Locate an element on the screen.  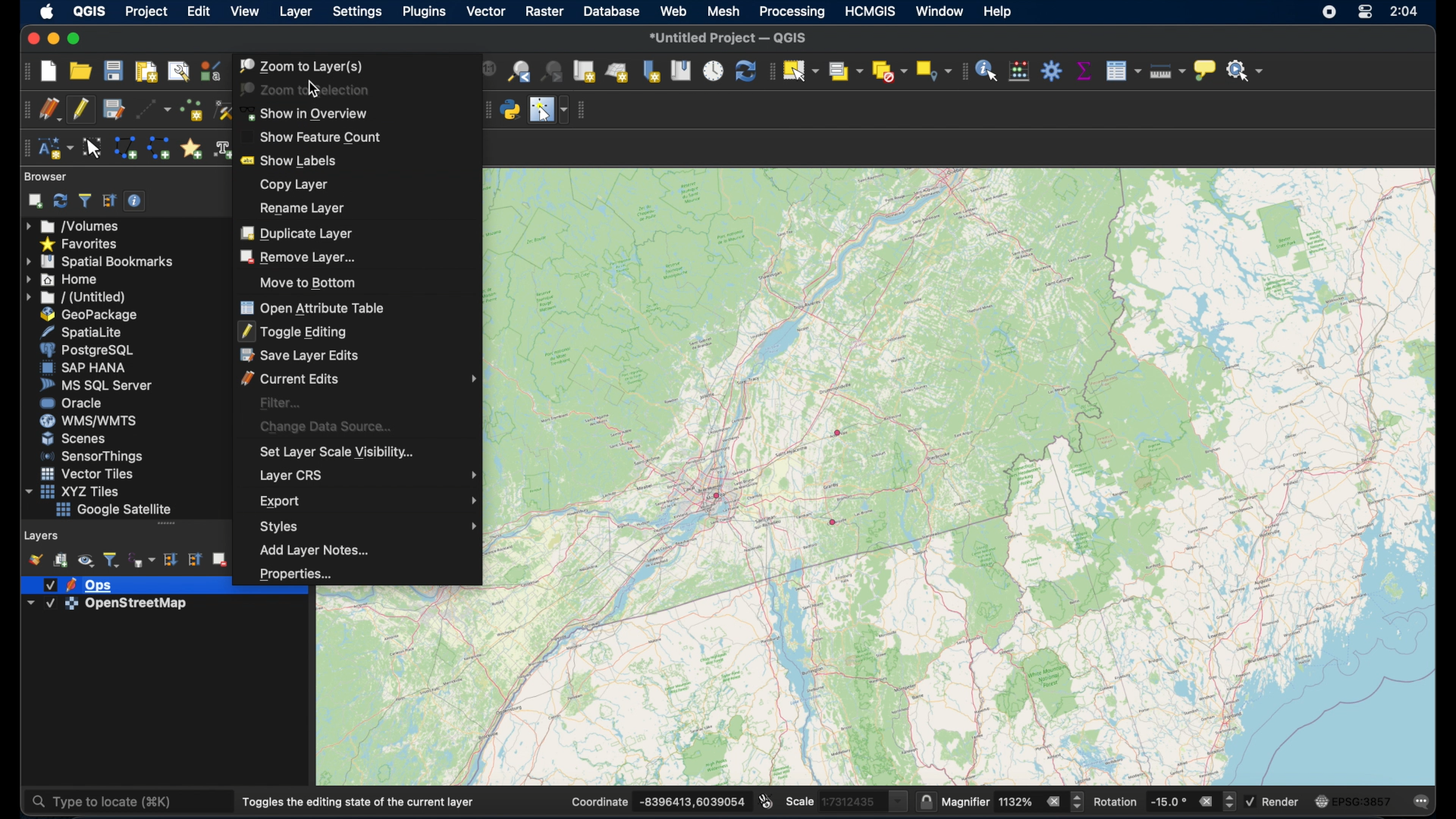
point feature is located at coordinates (839, 432).